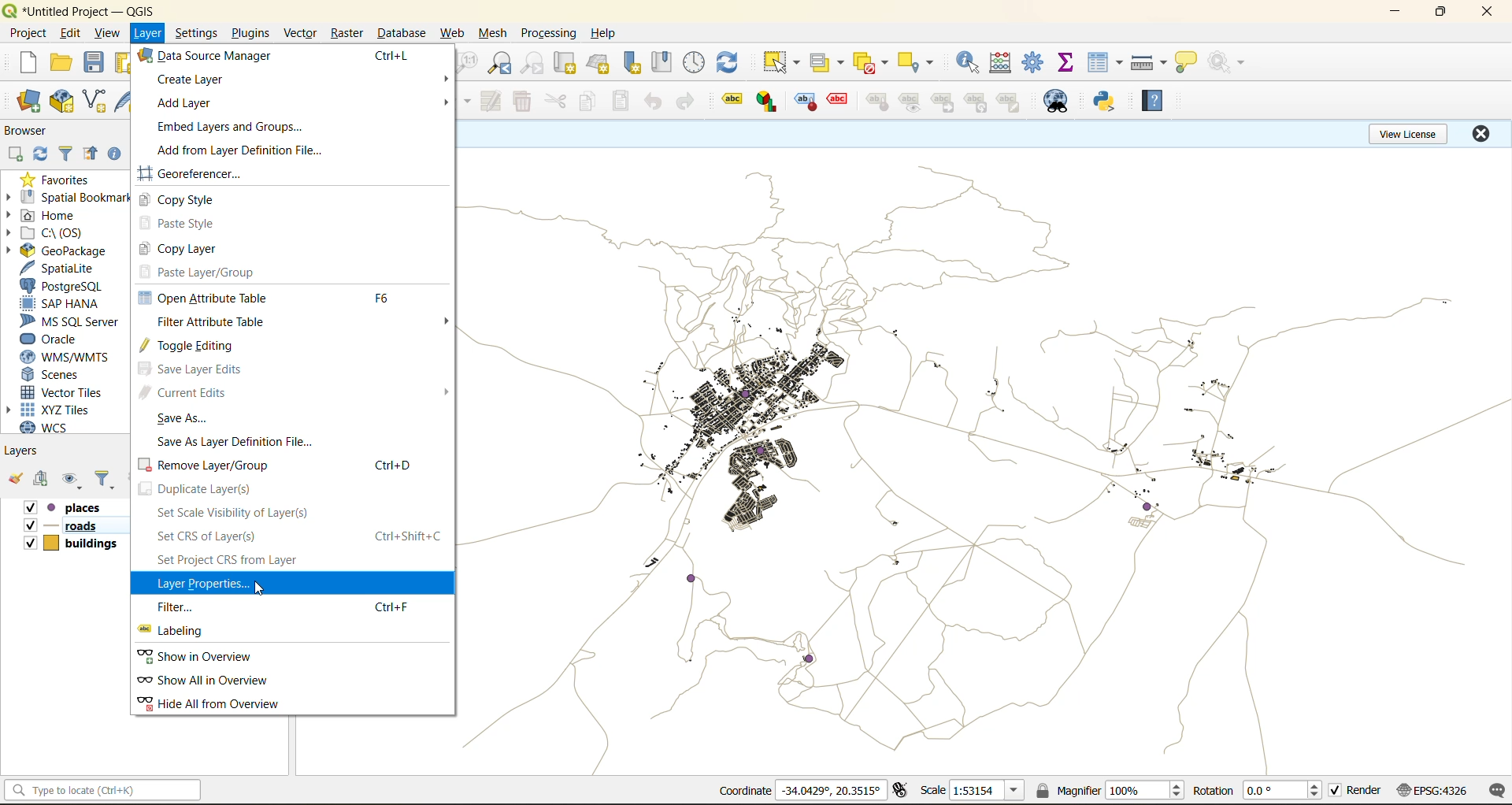 This screenshot has width=1512, height=805. Describe the element at coordinates (237, 562) in the screenshot. I see `set project crs from layer` at that location.